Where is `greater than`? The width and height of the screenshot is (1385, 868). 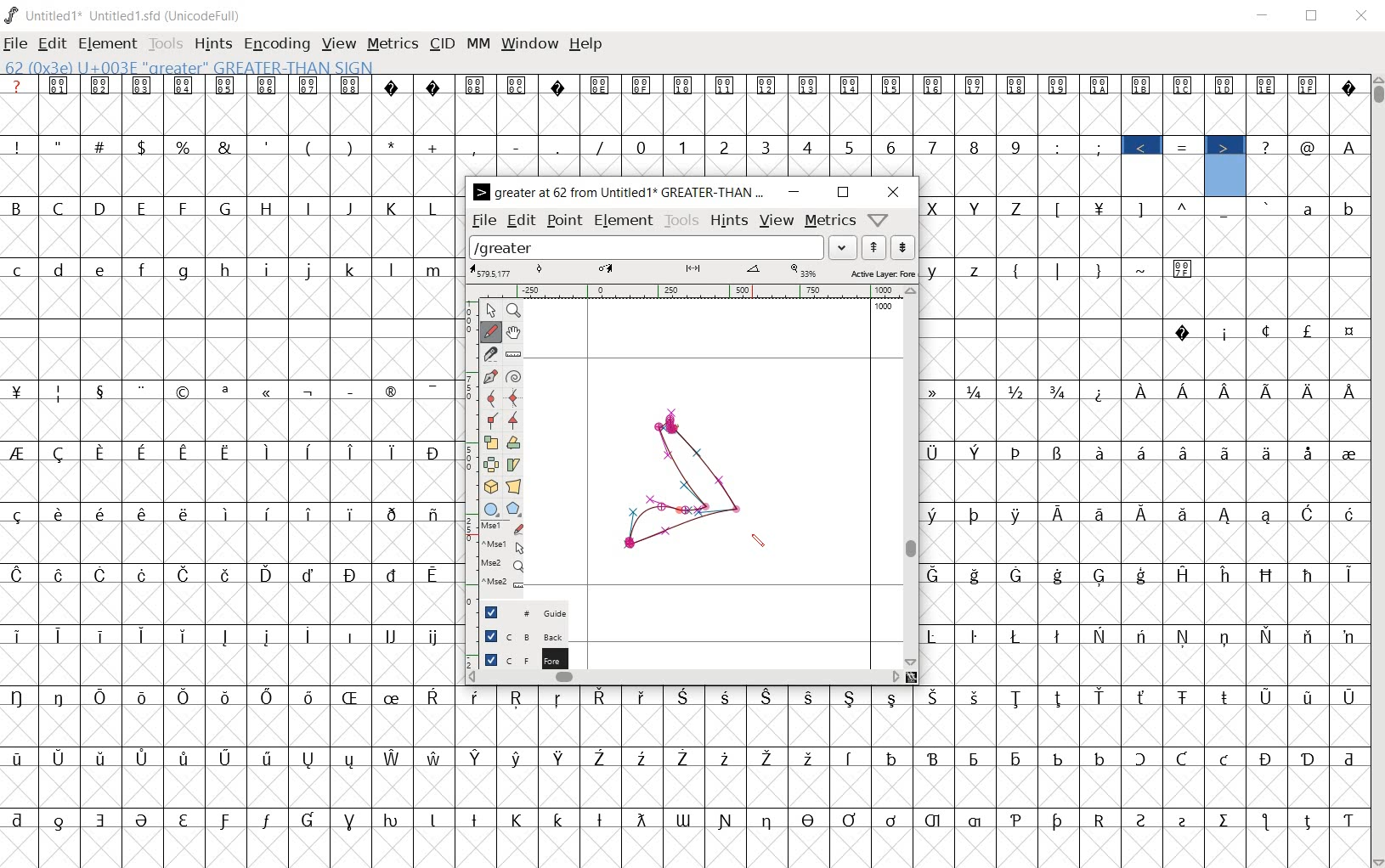 greater than is located at coordinates (1225, 166).